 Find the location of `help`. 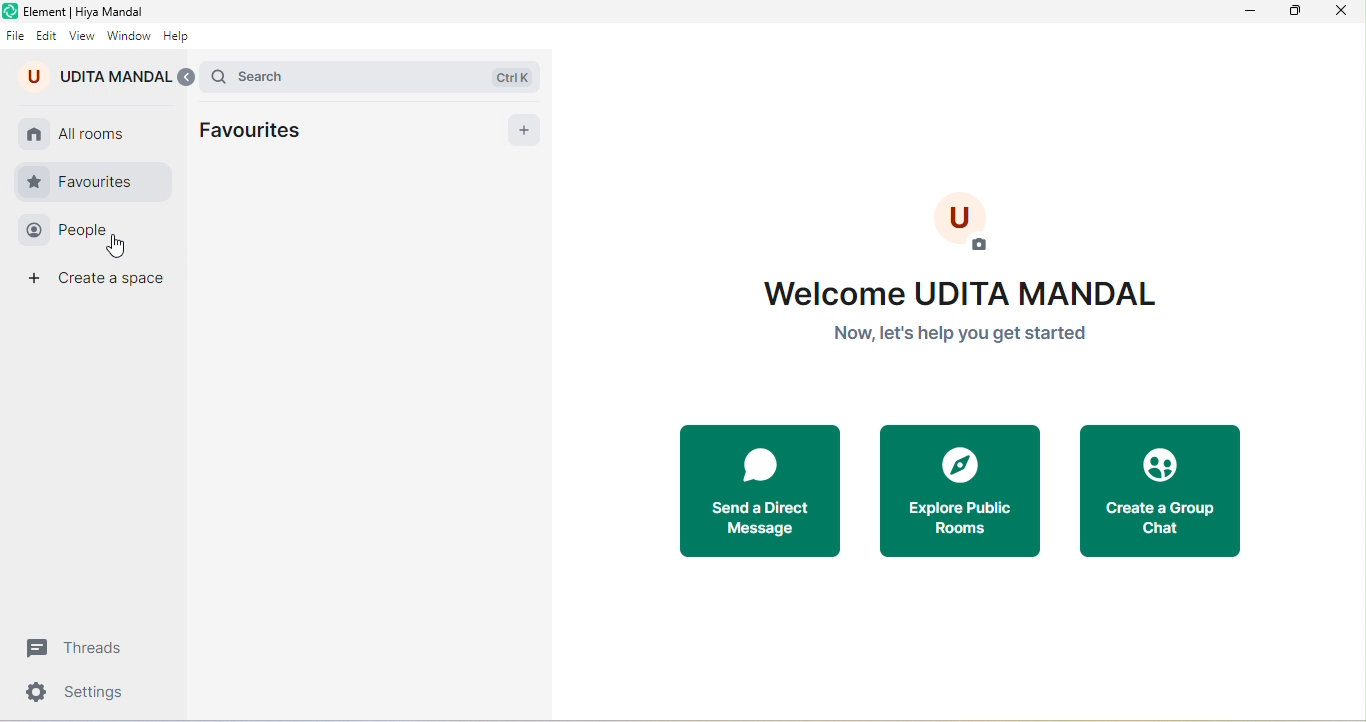

help is located at coordinates (184, 35).